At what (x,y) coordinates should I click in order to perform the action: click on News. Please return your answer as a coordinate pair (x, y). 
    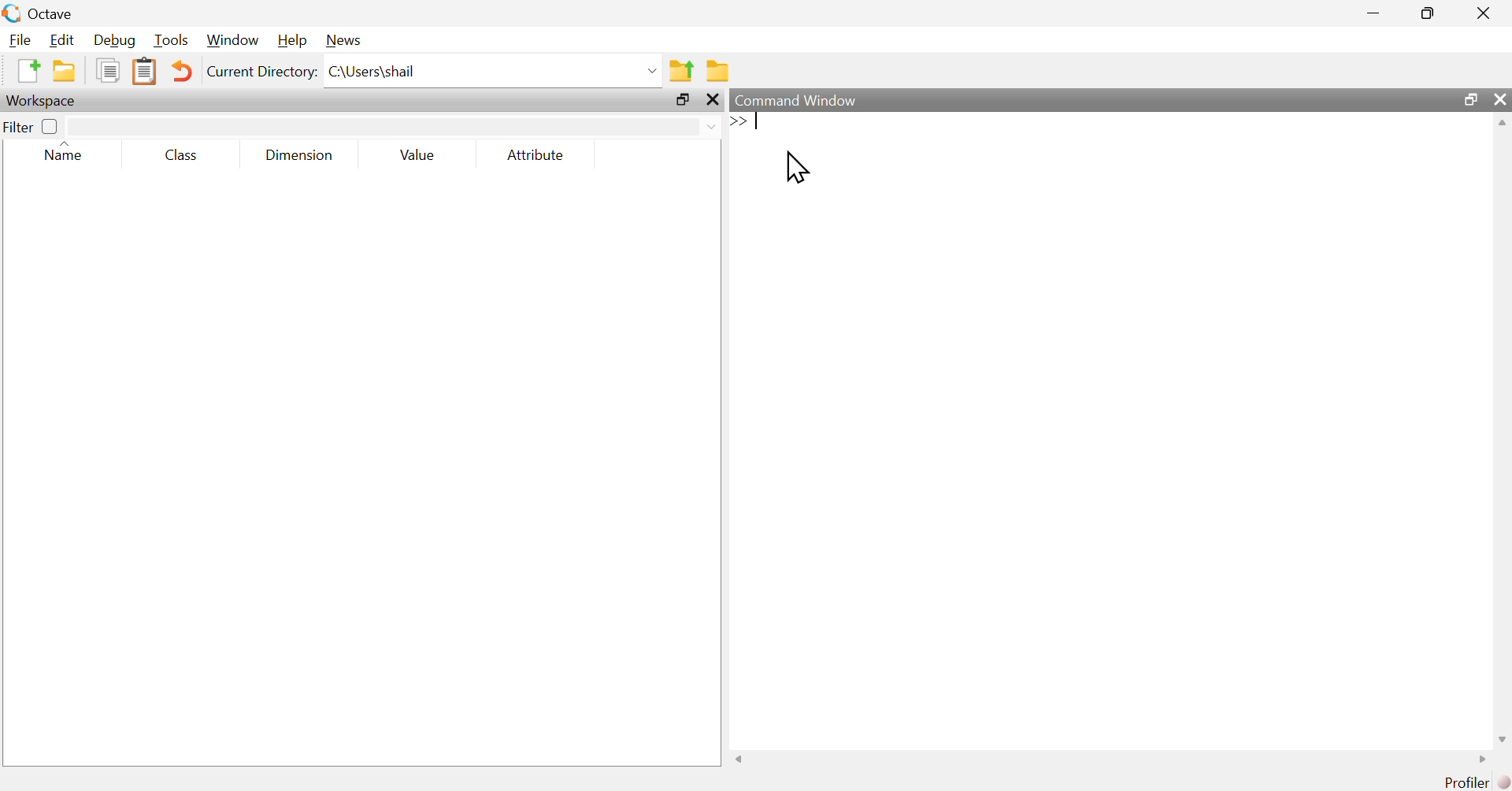
    Looking at the image, I should click on (343, 41).